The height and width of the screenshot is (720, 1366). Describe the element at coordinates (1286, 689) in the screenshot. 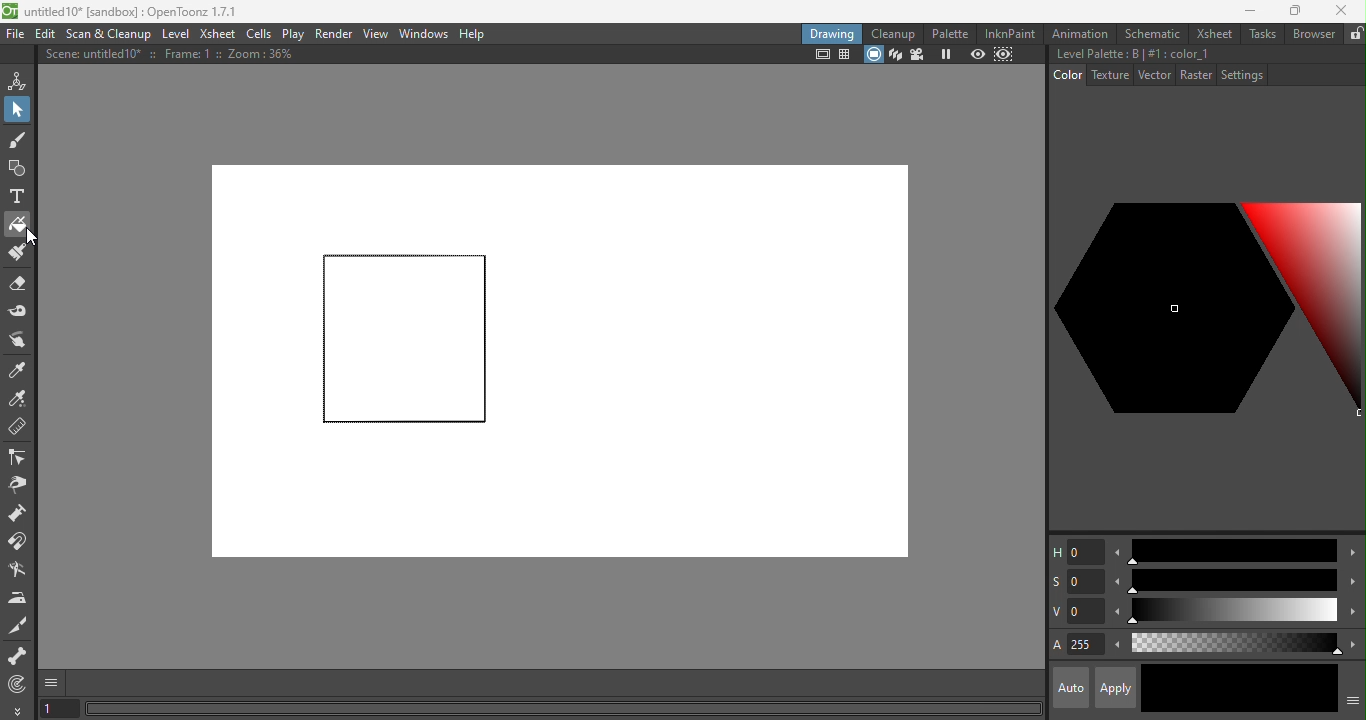

I see `Return to previous style` at that location.